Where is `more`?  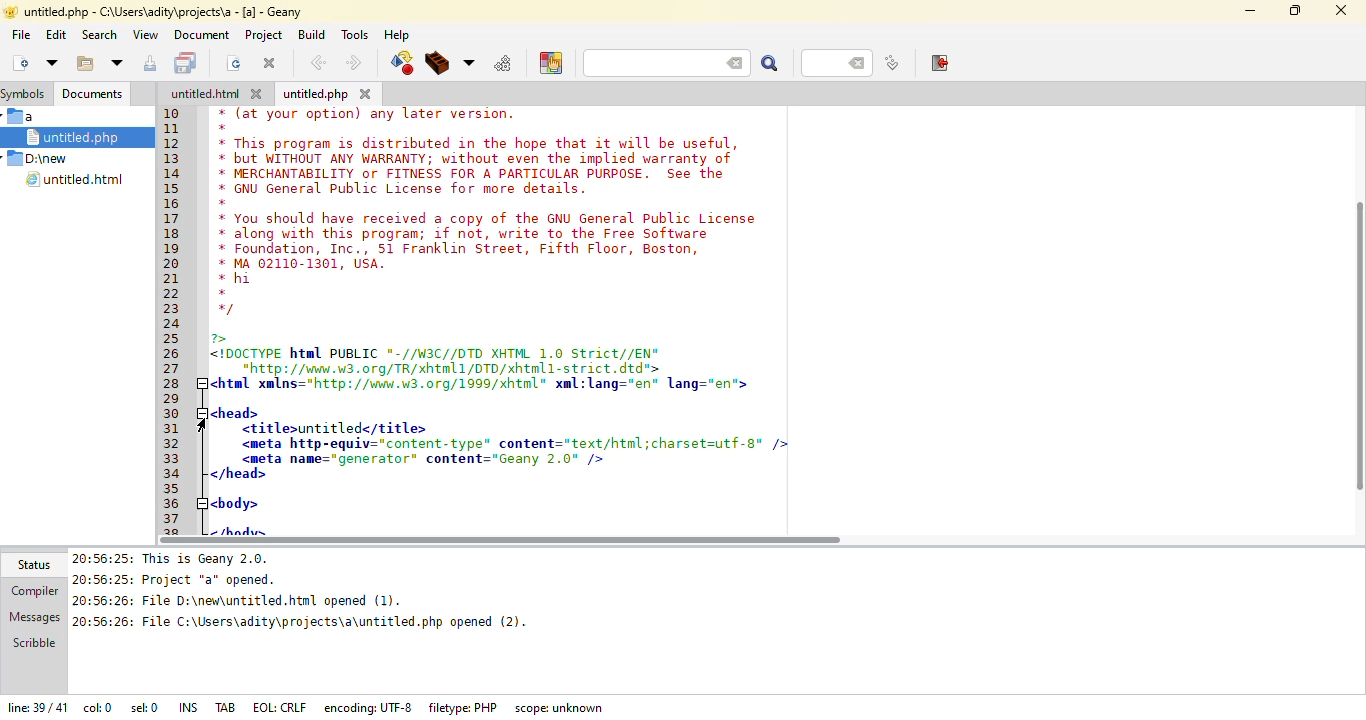
more is located at coordinates (118, 62).